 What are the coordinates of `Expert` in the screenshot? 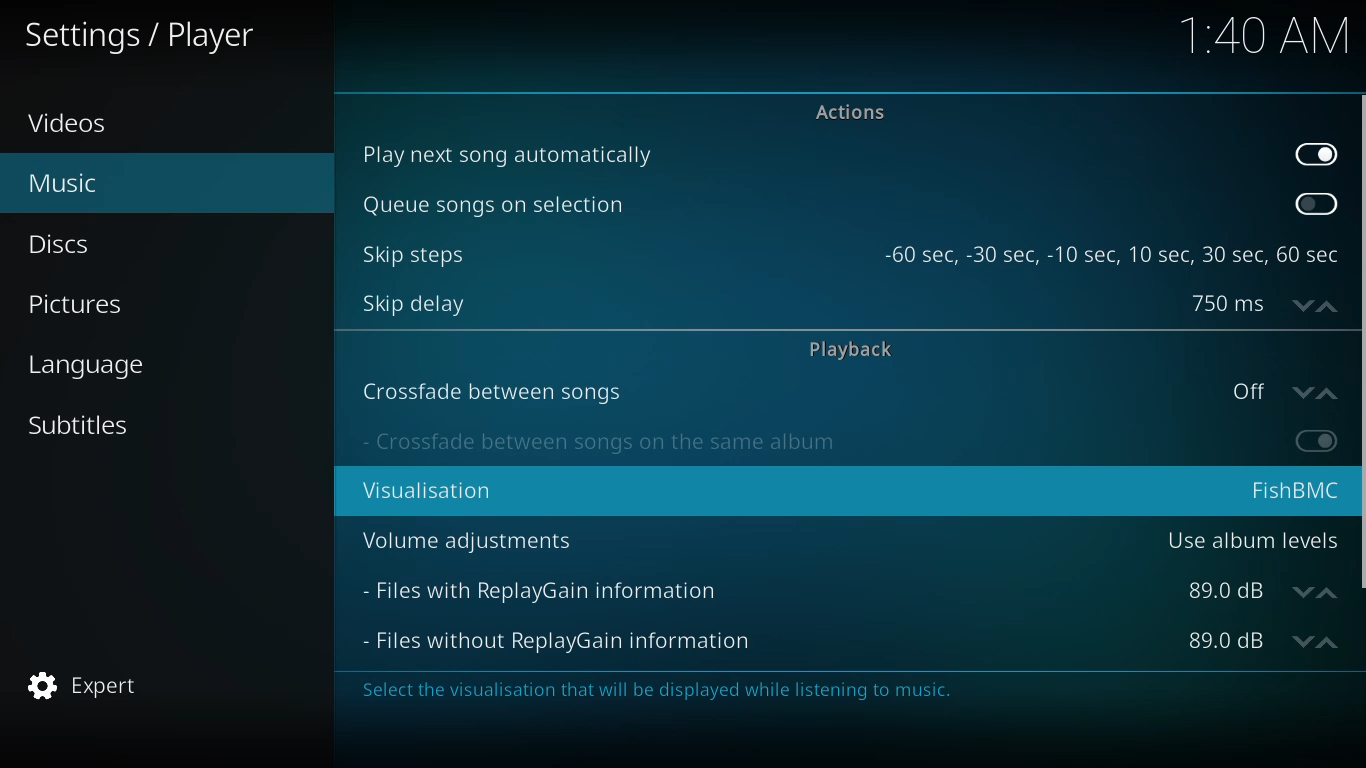 It's located at (94, 680).